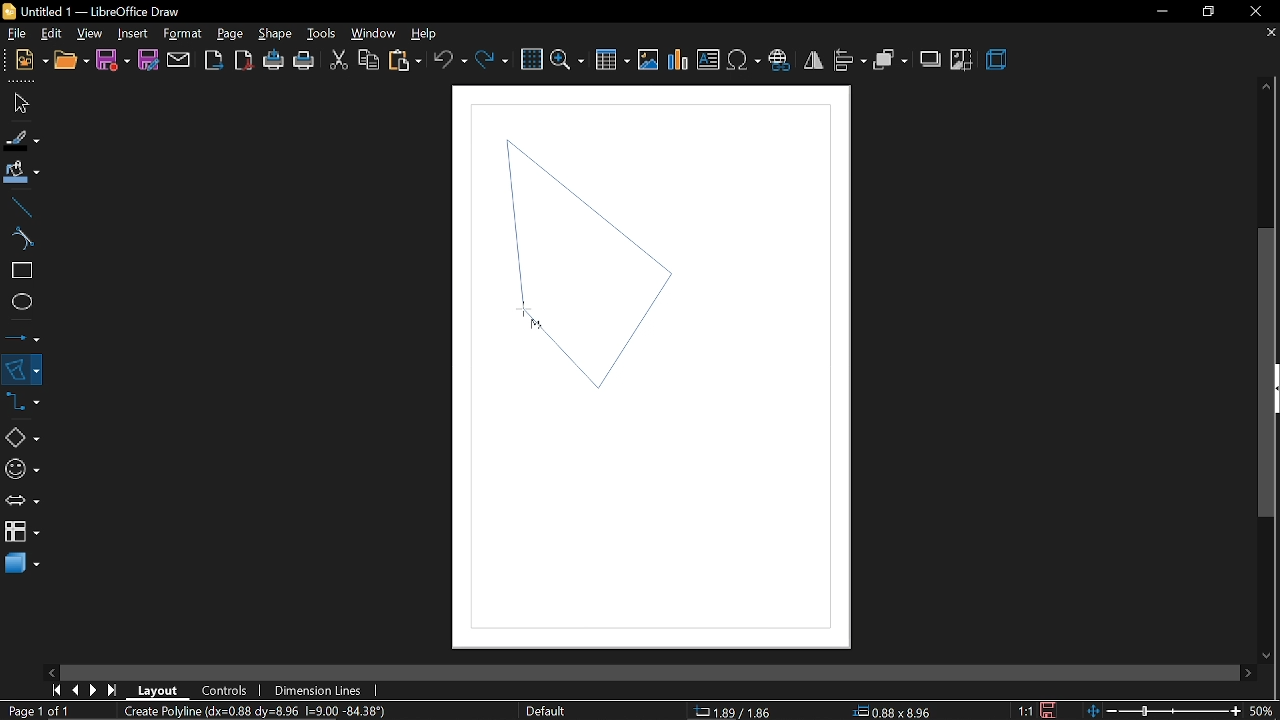 This screenshot has height=720, width=1280. I want to click on next page, so click(98, 688).